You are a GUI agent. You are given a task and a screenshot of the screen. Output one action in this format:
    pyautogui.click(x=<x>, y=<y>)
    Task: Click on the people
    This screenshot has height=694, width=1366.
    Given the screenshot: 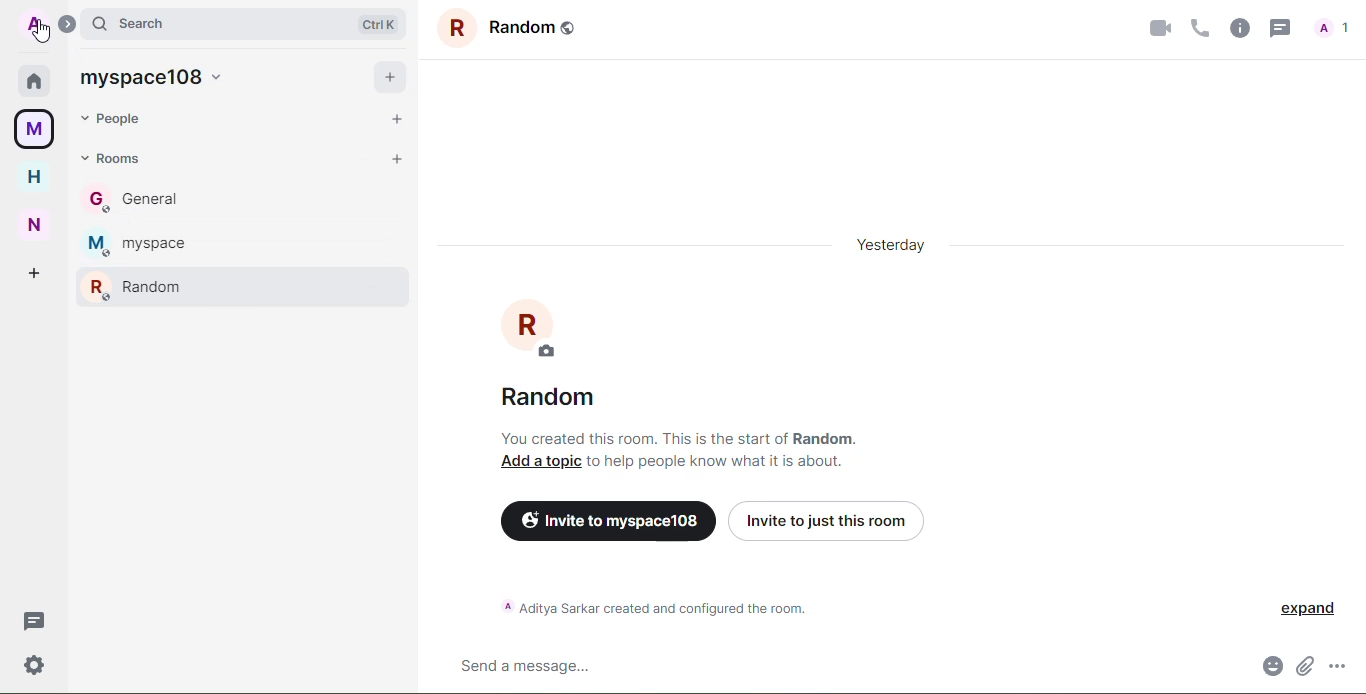 What is the action you would take?
    pyautogui.click(x=1334, y=28)
    